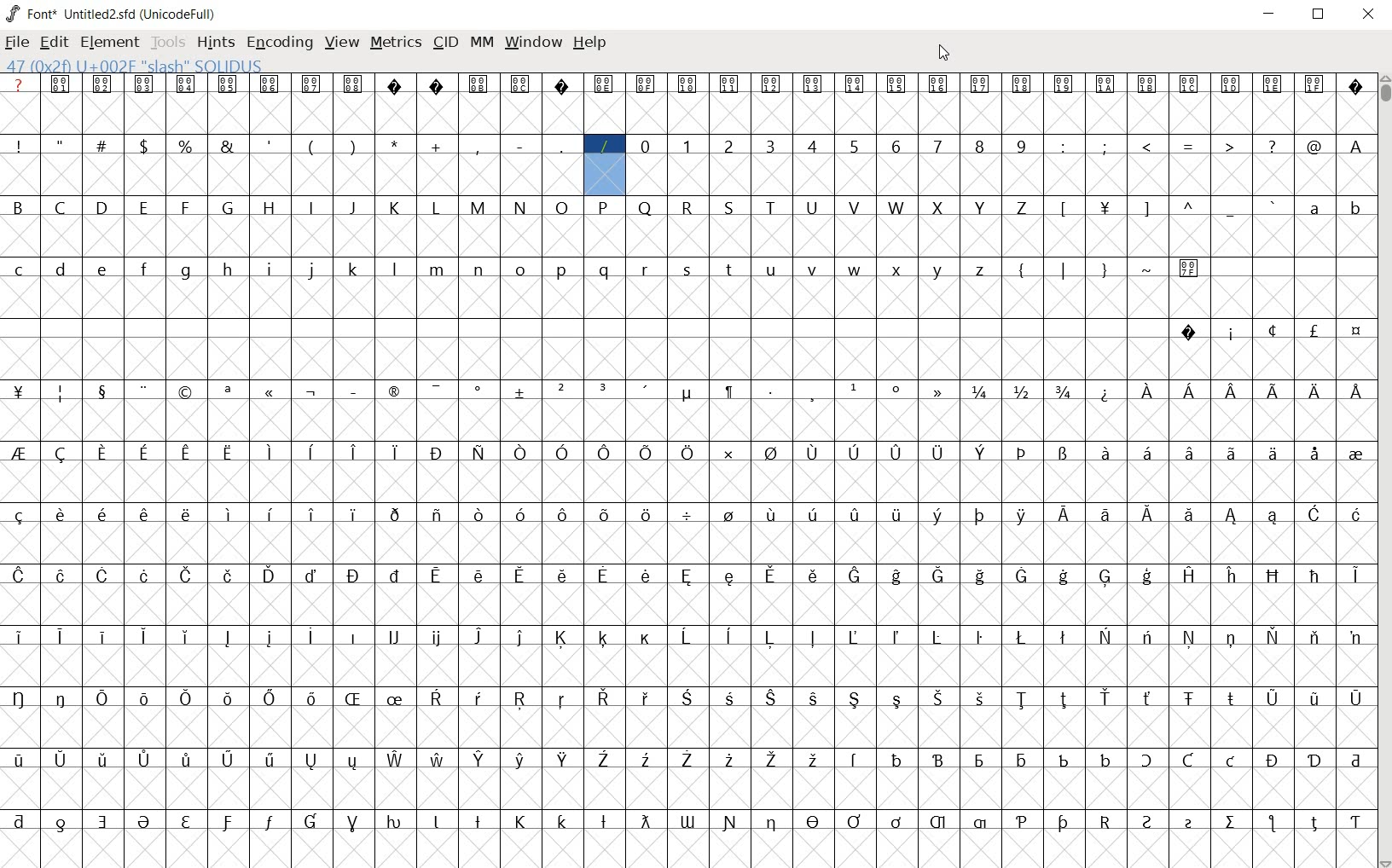 The height and width of the screenshot is (868, 1392). Describe the element at coordinates (145, 760) in the screenshot. I see `glyph` at that location.